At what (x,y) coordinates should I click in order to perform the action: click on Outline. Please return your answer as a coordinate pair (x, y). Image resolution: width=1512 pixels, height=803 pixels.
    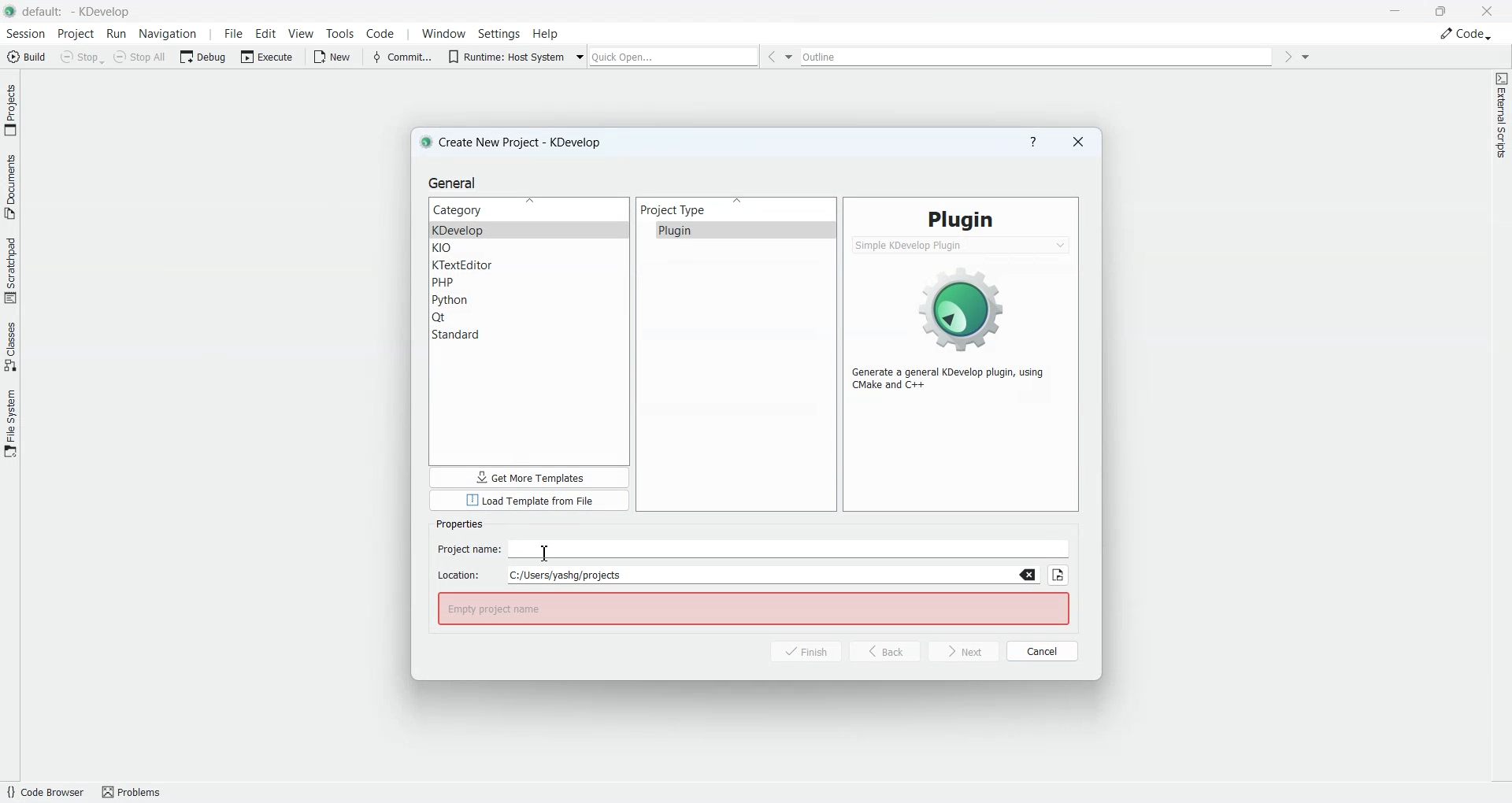
    Looking at the image, I should click on (1039, 57).